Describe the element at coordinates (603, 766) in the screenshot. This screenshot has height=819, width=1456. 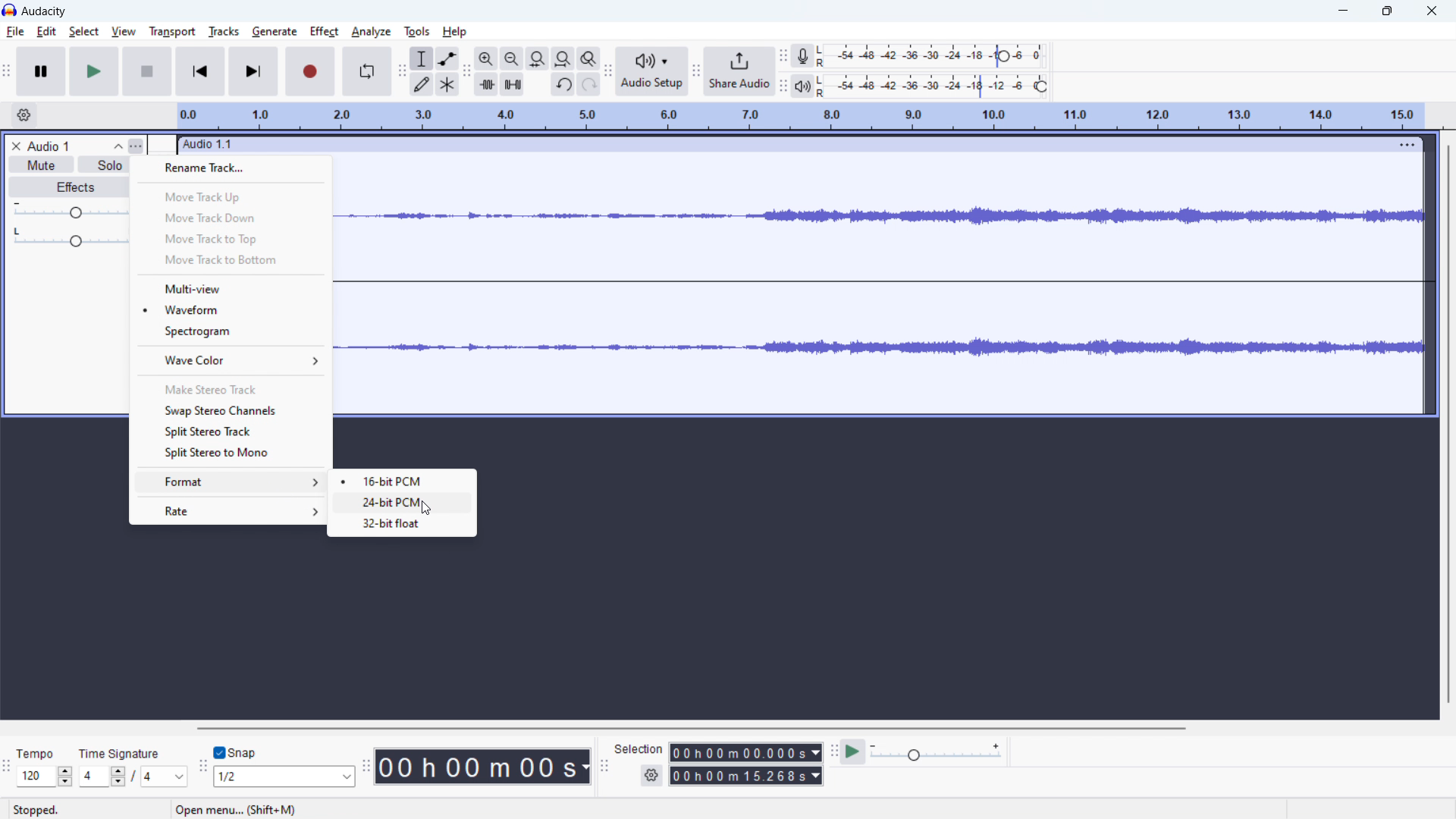
I see `selection toolbar` at that location.